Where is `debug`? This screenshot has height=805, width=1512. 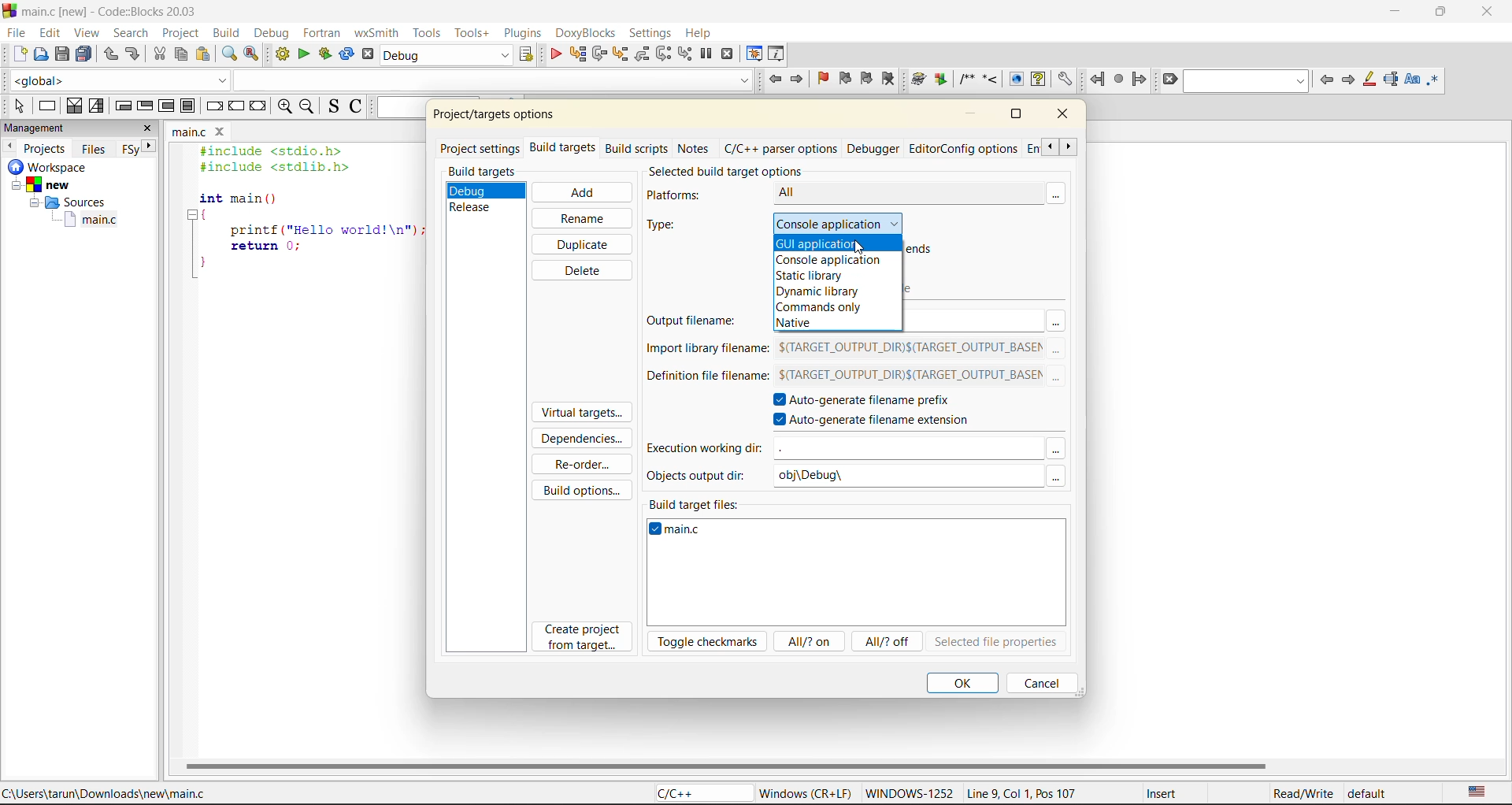 debug is located at coordinates (273, 32).